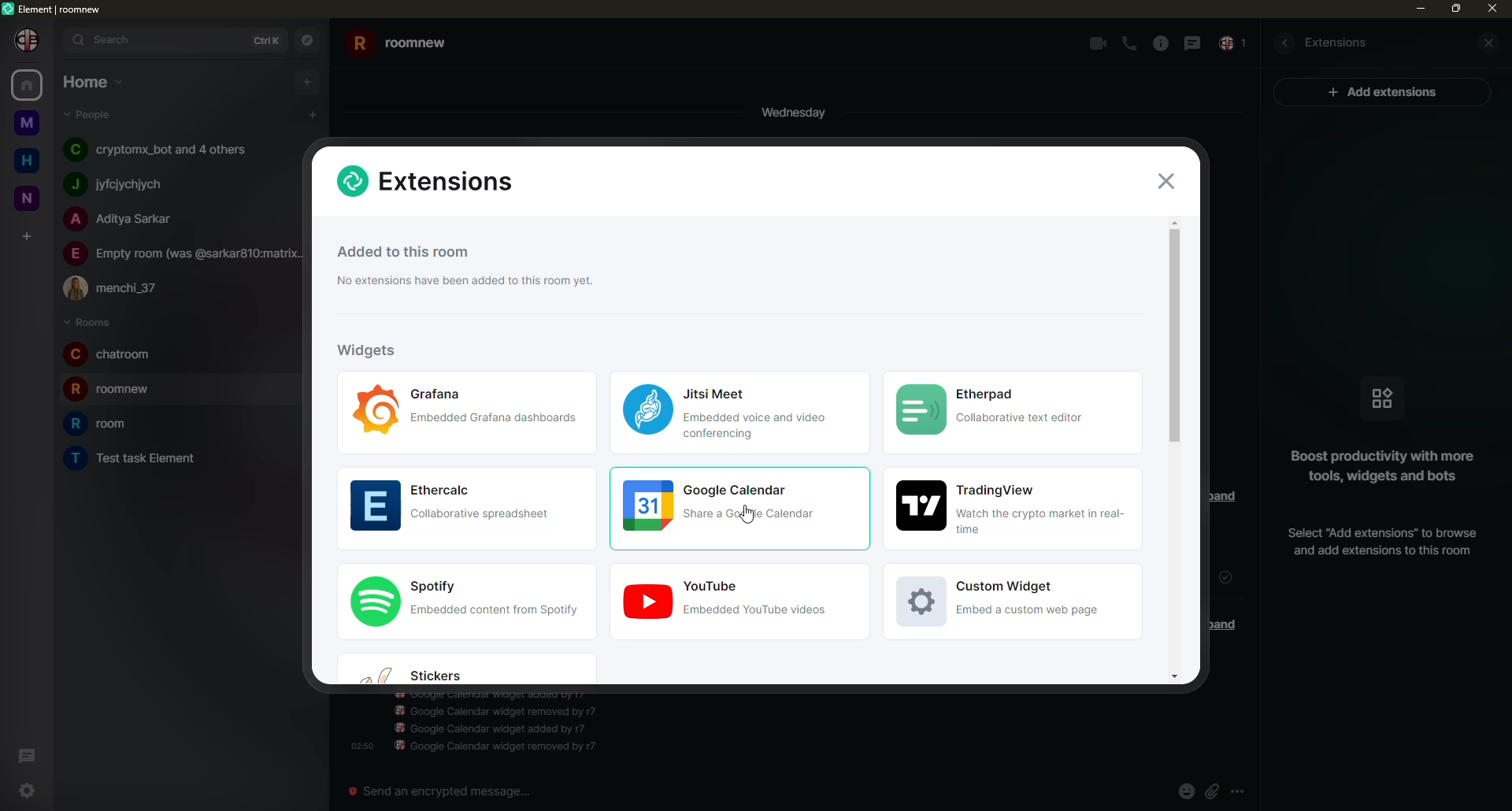  I want to click on home, so click(28, 161).